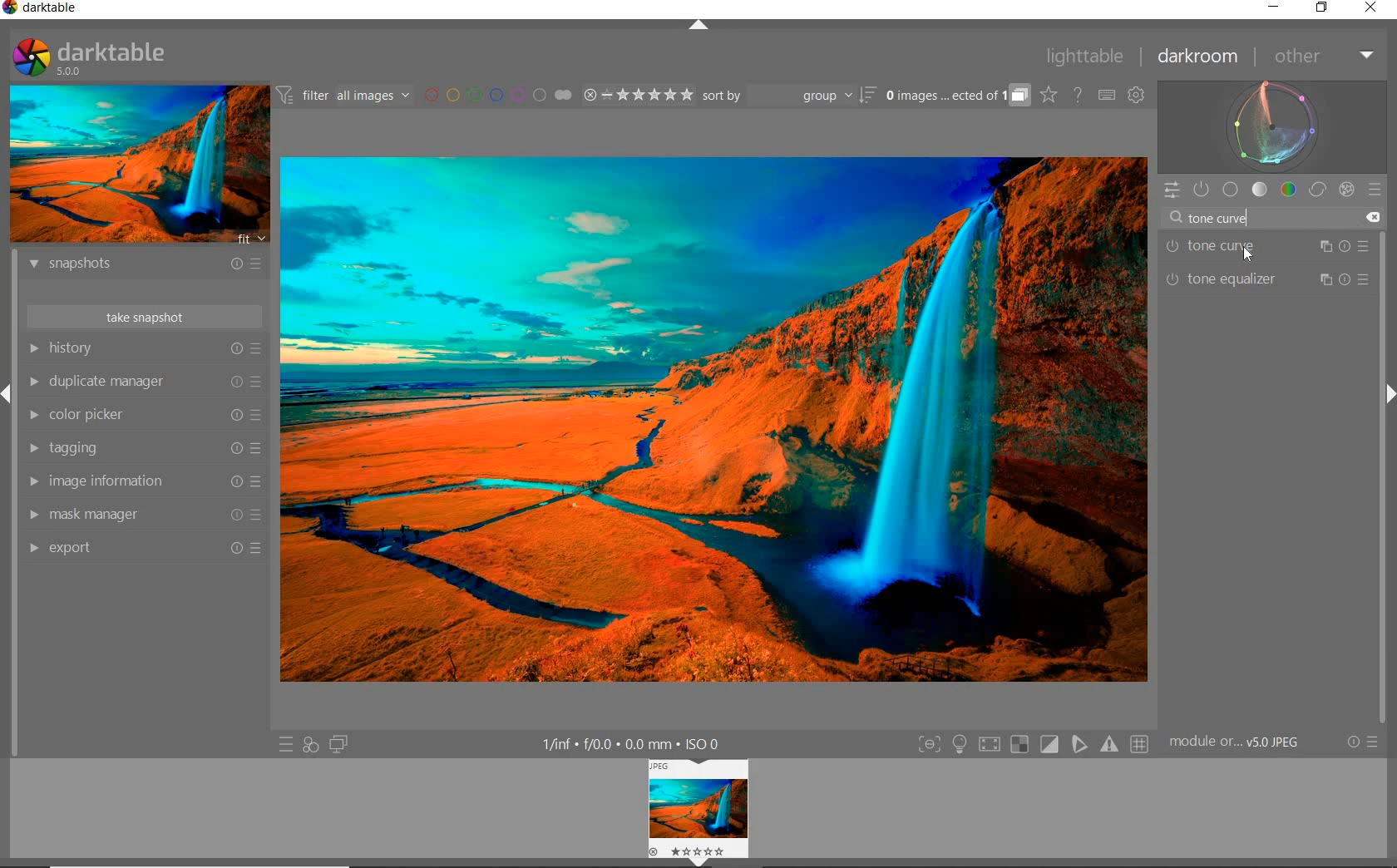 The height and width of the screenshot is (868, 1397). Describe the element at coordinates (635, 743) in the screenshot. I see `DISPLAYED GUI INFO` at that location.